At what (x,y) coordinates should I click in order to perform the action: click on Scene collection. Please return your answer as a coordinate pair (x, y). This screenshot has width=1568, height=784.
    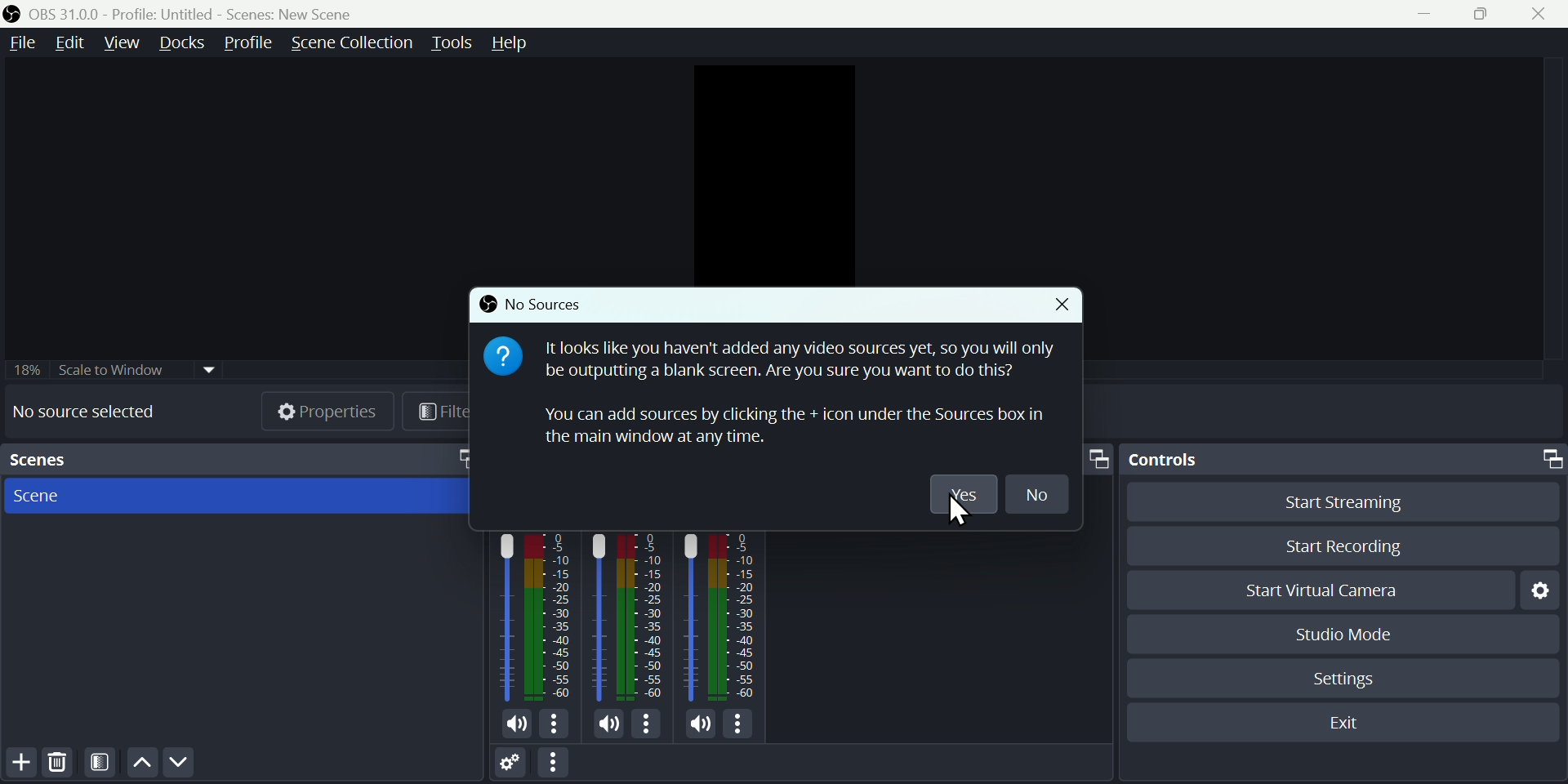
    Looking at the image, I should click on (356, 43).